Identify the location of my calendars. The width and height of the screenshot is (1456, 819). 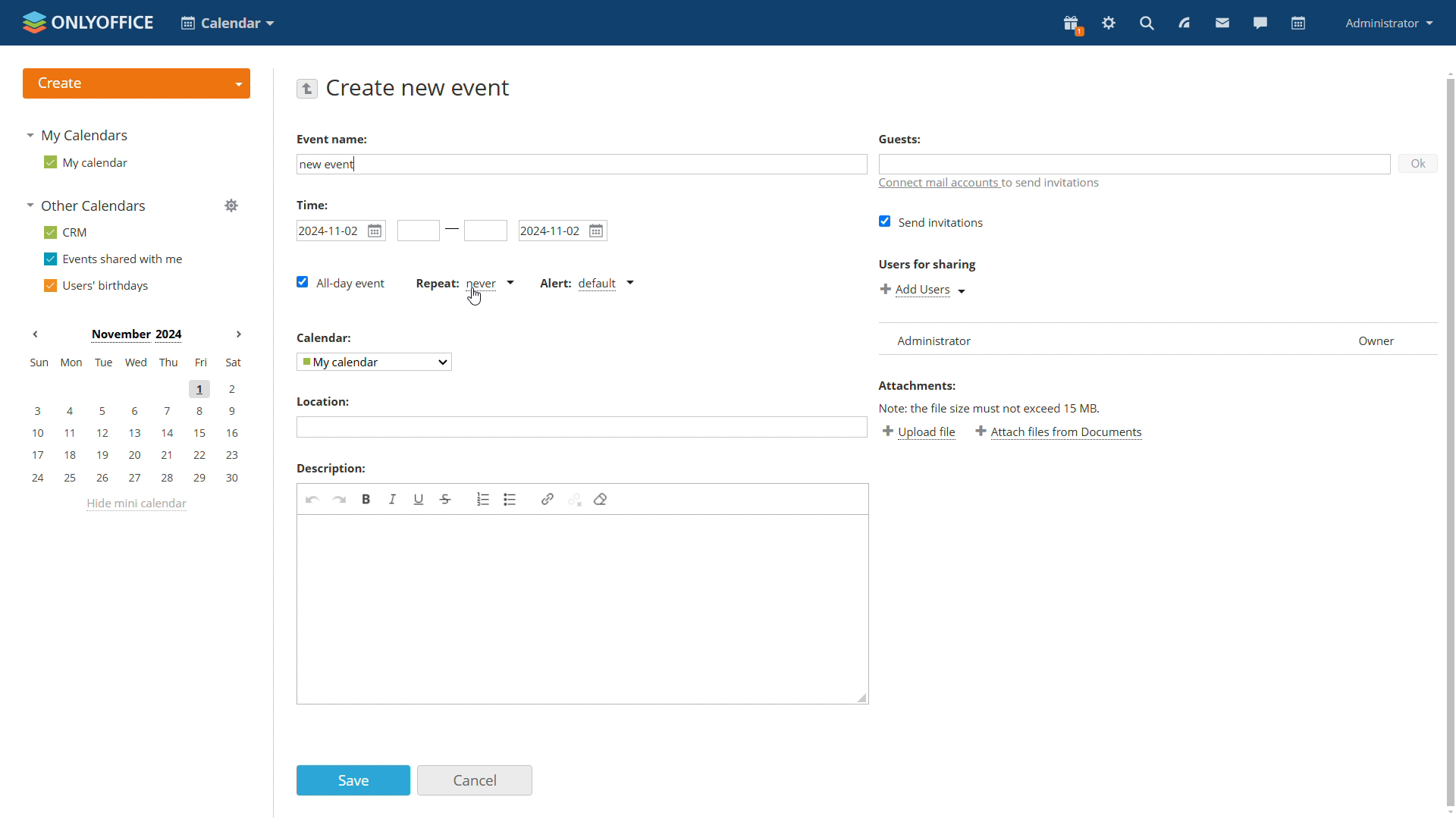
(80, 133).